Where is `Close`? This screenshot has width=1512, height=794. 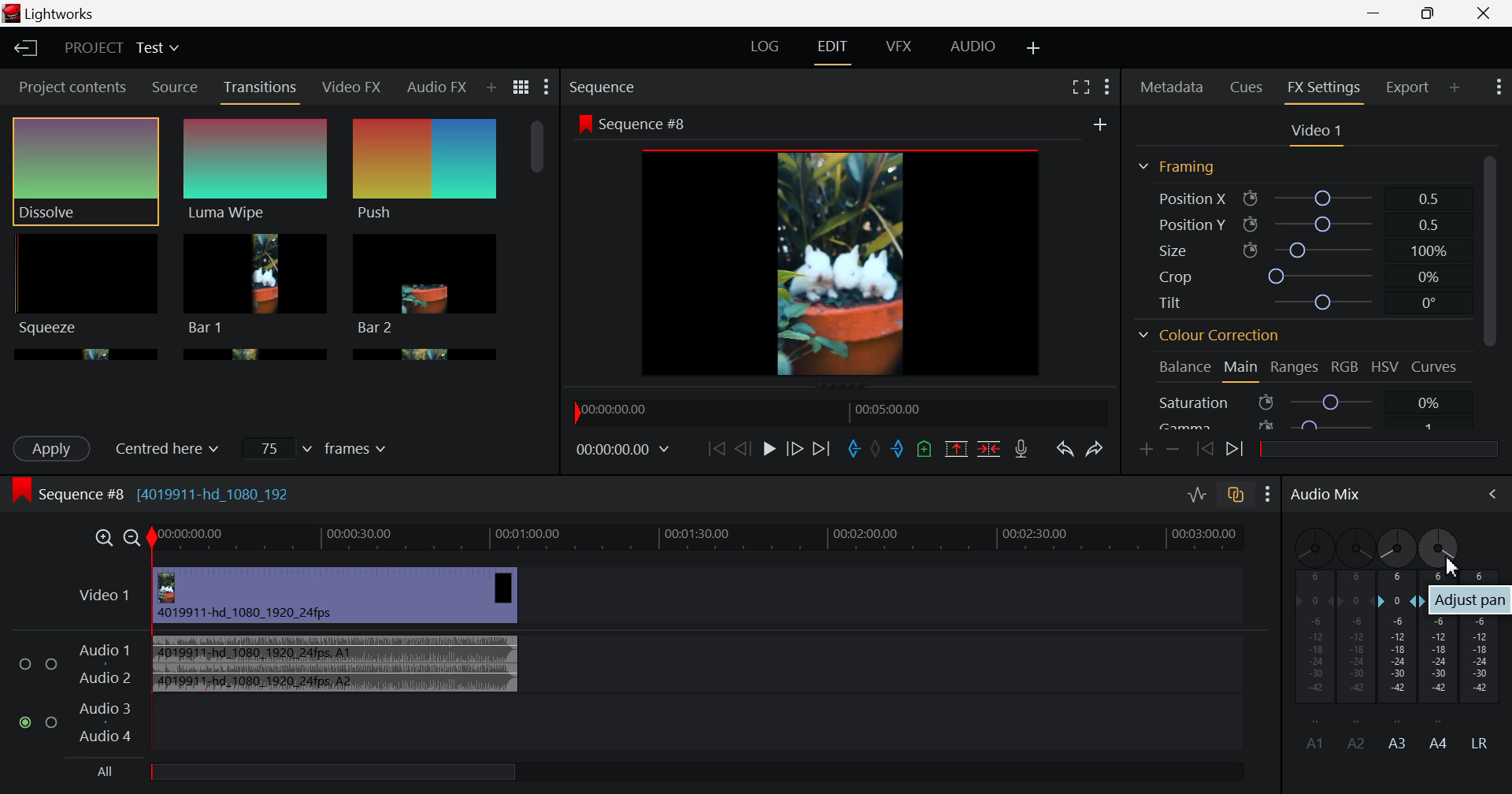 Close is located at coordinates (1484, 14).